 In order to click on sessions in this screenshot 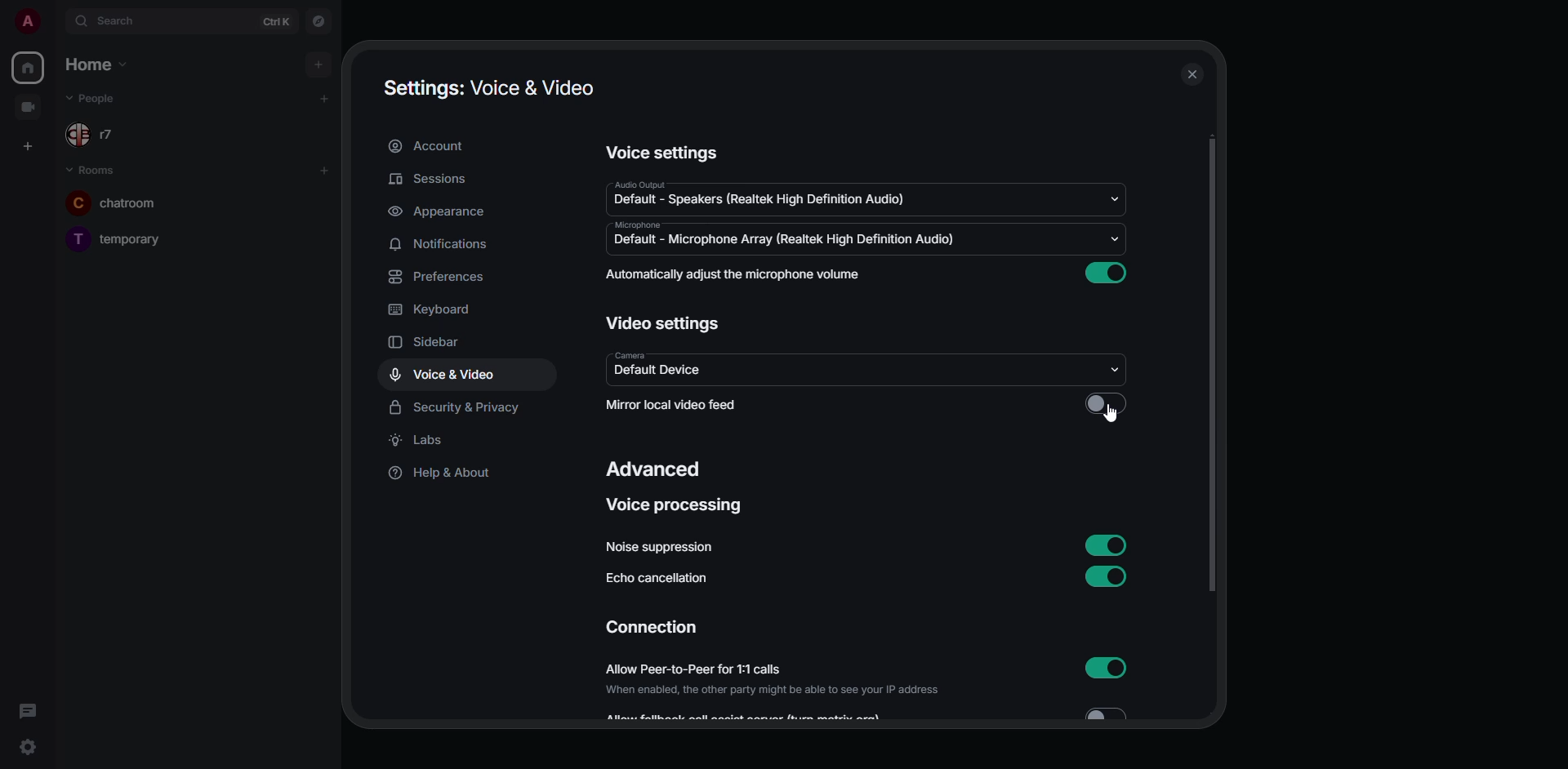, I will do `click(432, 180)`.